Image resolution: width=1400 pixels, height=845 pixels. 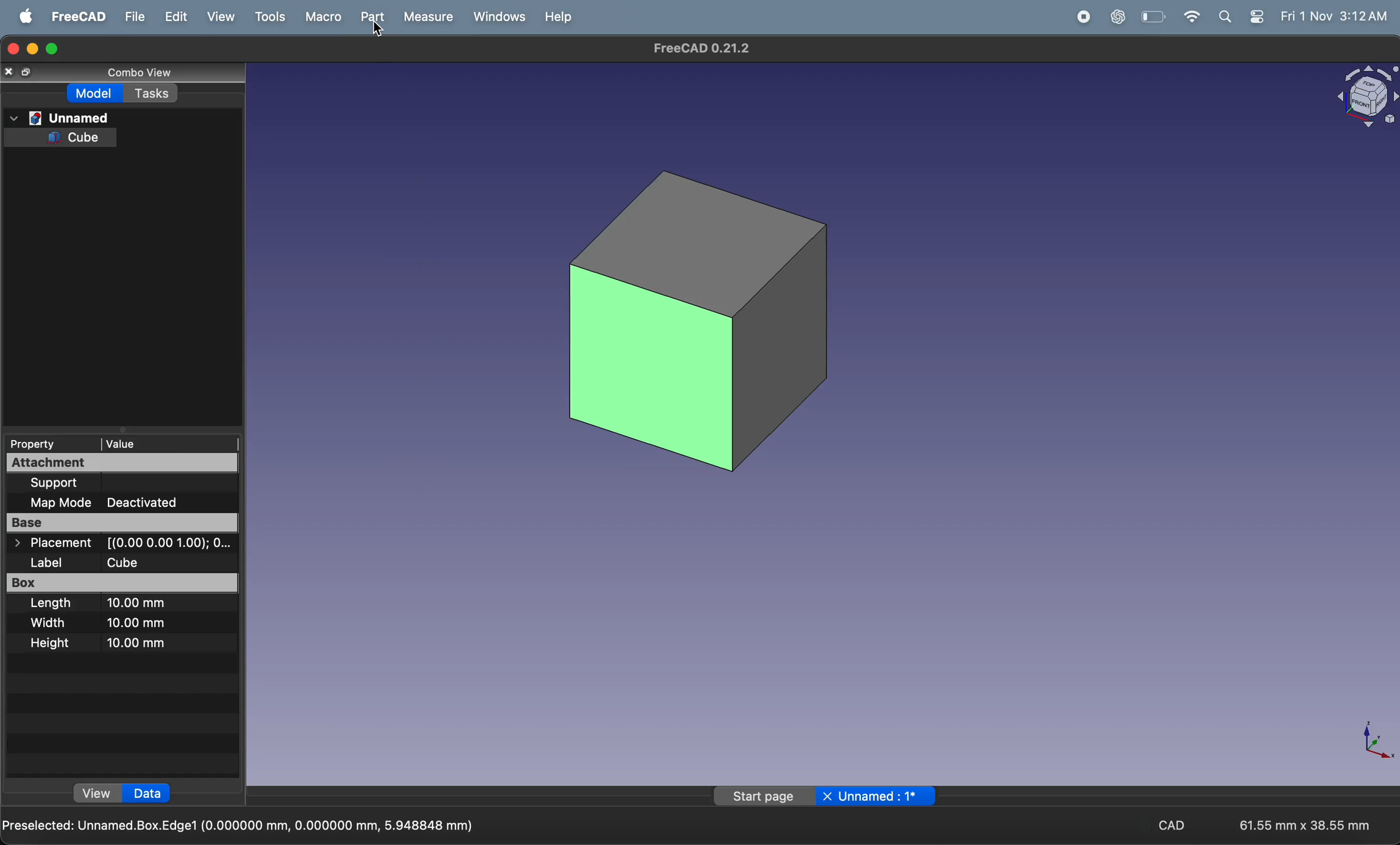 I want to click on Height      10.00 mm, so click(x=106, y=642).